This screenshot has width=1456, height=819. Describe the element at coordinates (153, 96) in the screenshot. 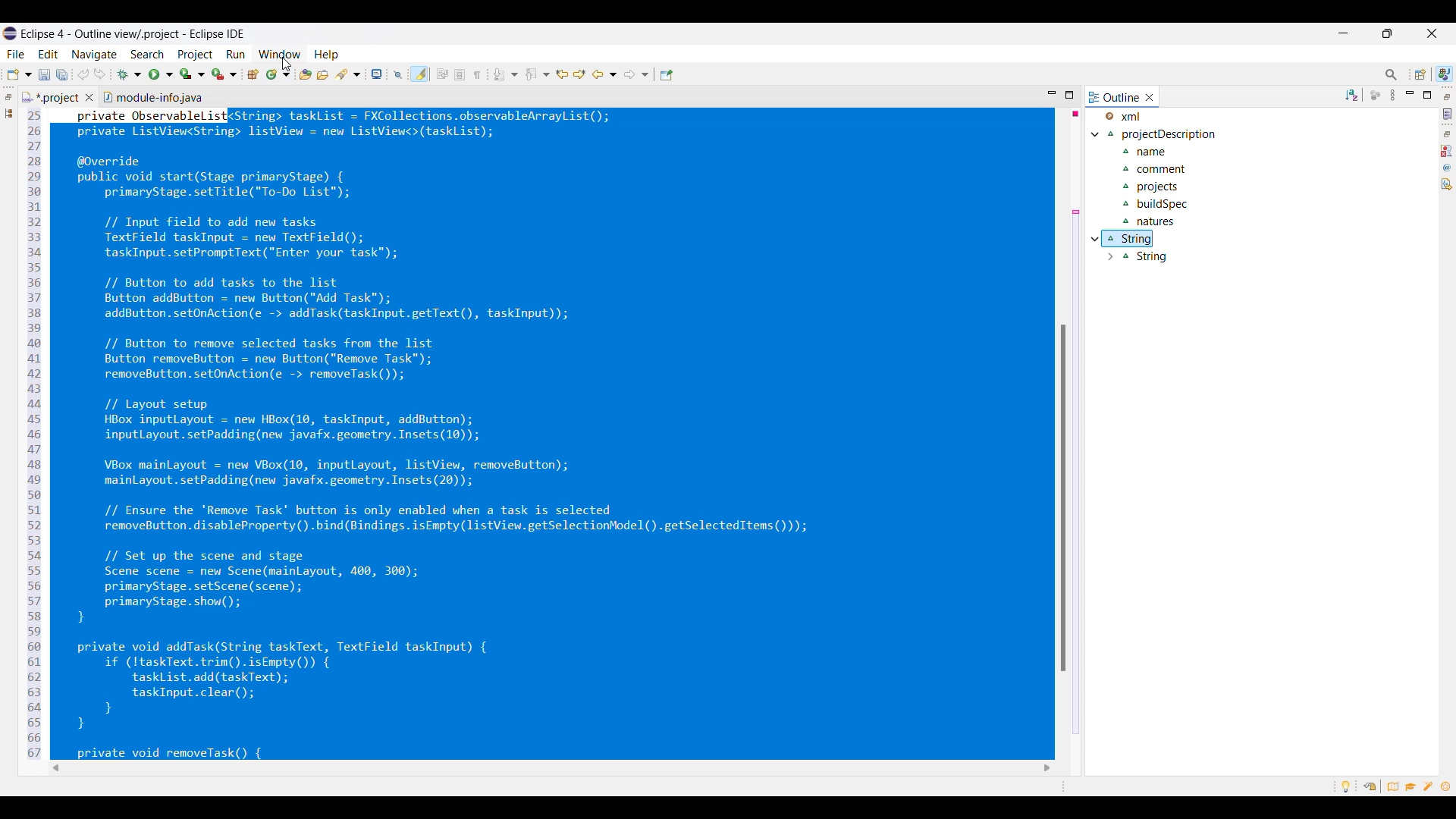

I see `Other module` at that location.